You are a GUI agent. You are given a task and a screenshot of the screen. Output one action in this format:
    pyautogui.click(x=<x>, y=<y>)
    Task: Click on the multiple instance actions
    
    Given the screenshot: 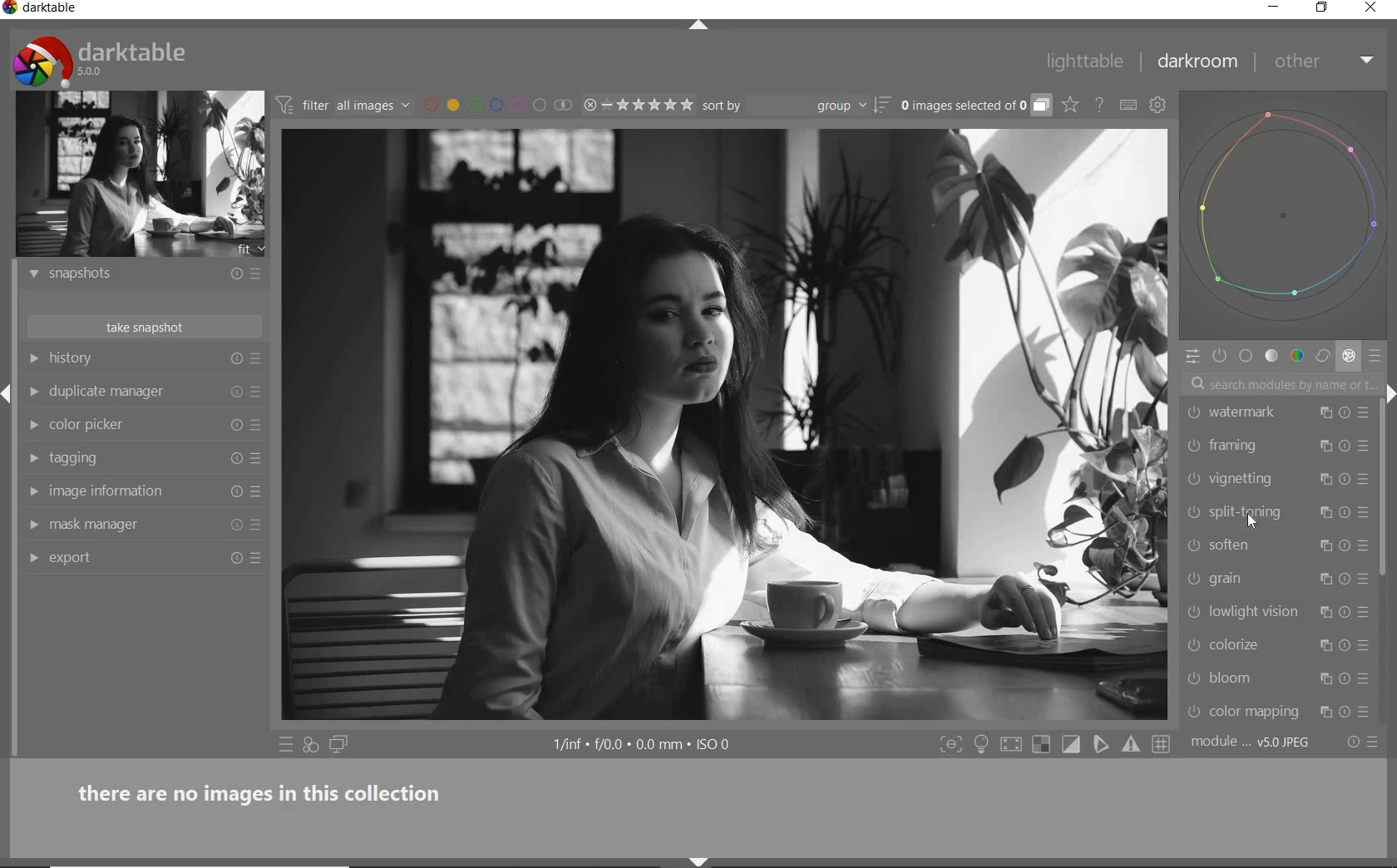 What is the action you would take?
    pyautogui.click(x=1321, y=447)
    